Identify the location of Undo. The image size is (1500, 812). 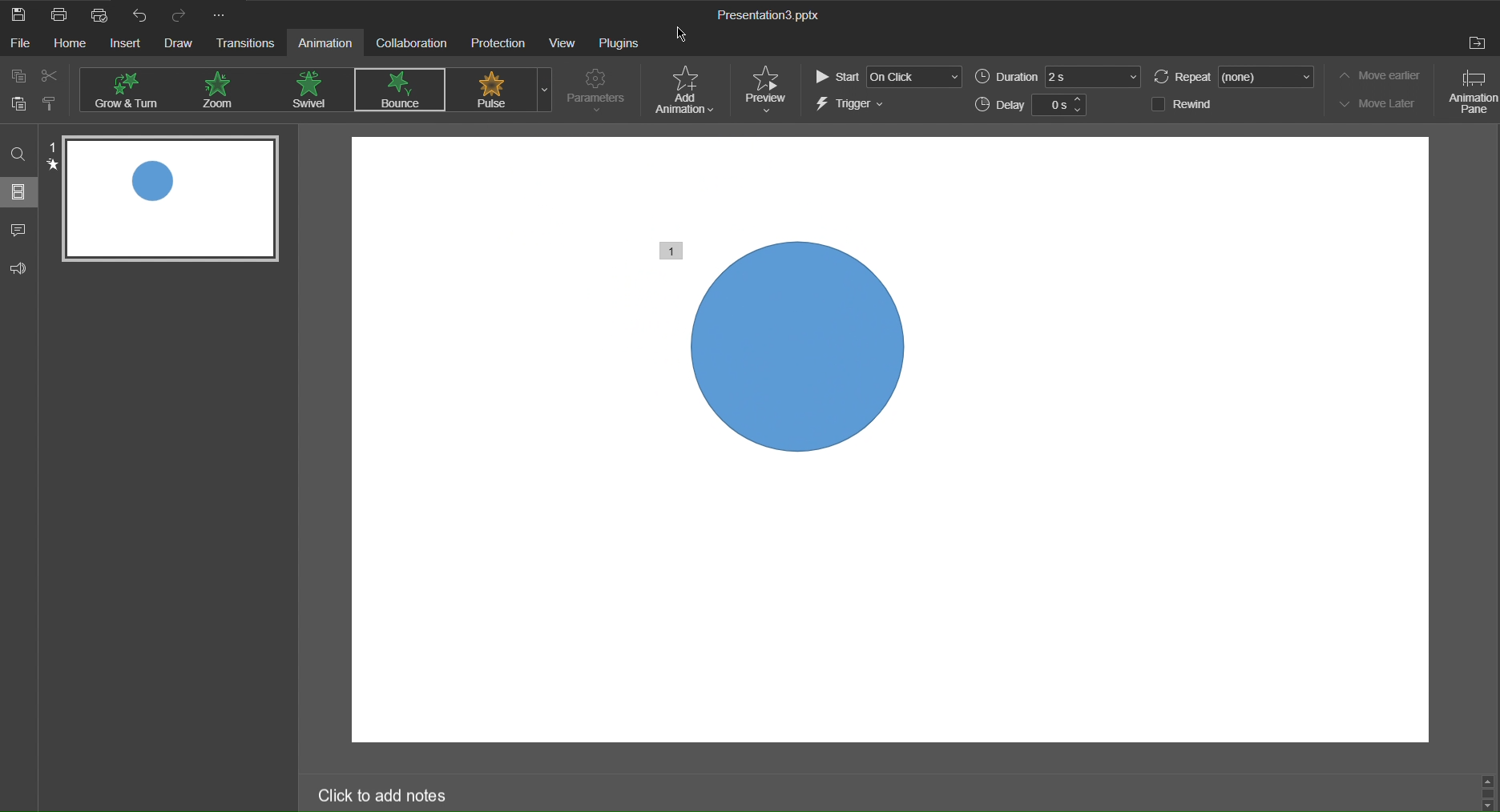
(137, 15).